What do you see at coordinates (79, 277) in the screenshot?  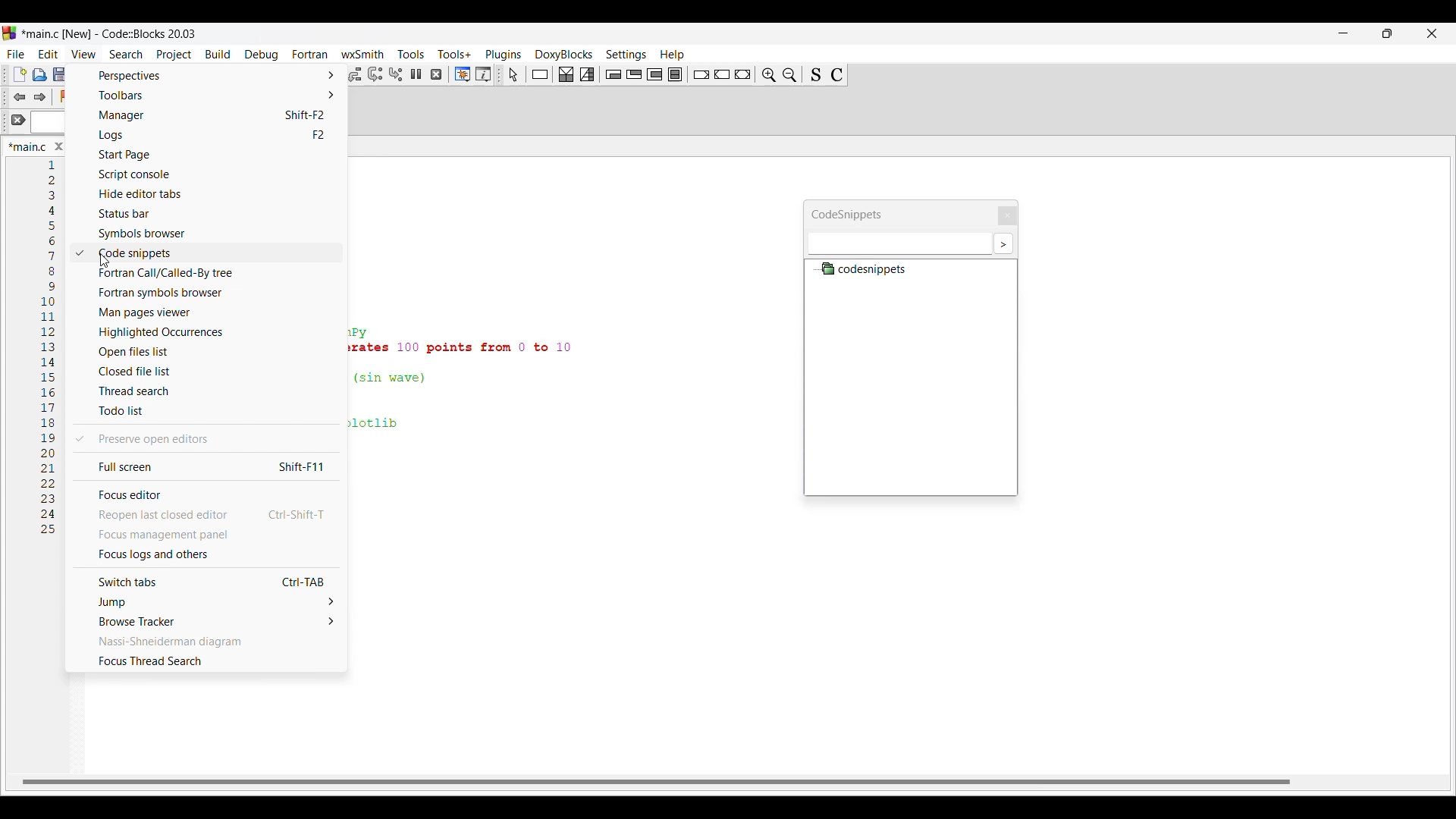 I see `Checkmark indicates selected options` at bounding box center [79, 277].